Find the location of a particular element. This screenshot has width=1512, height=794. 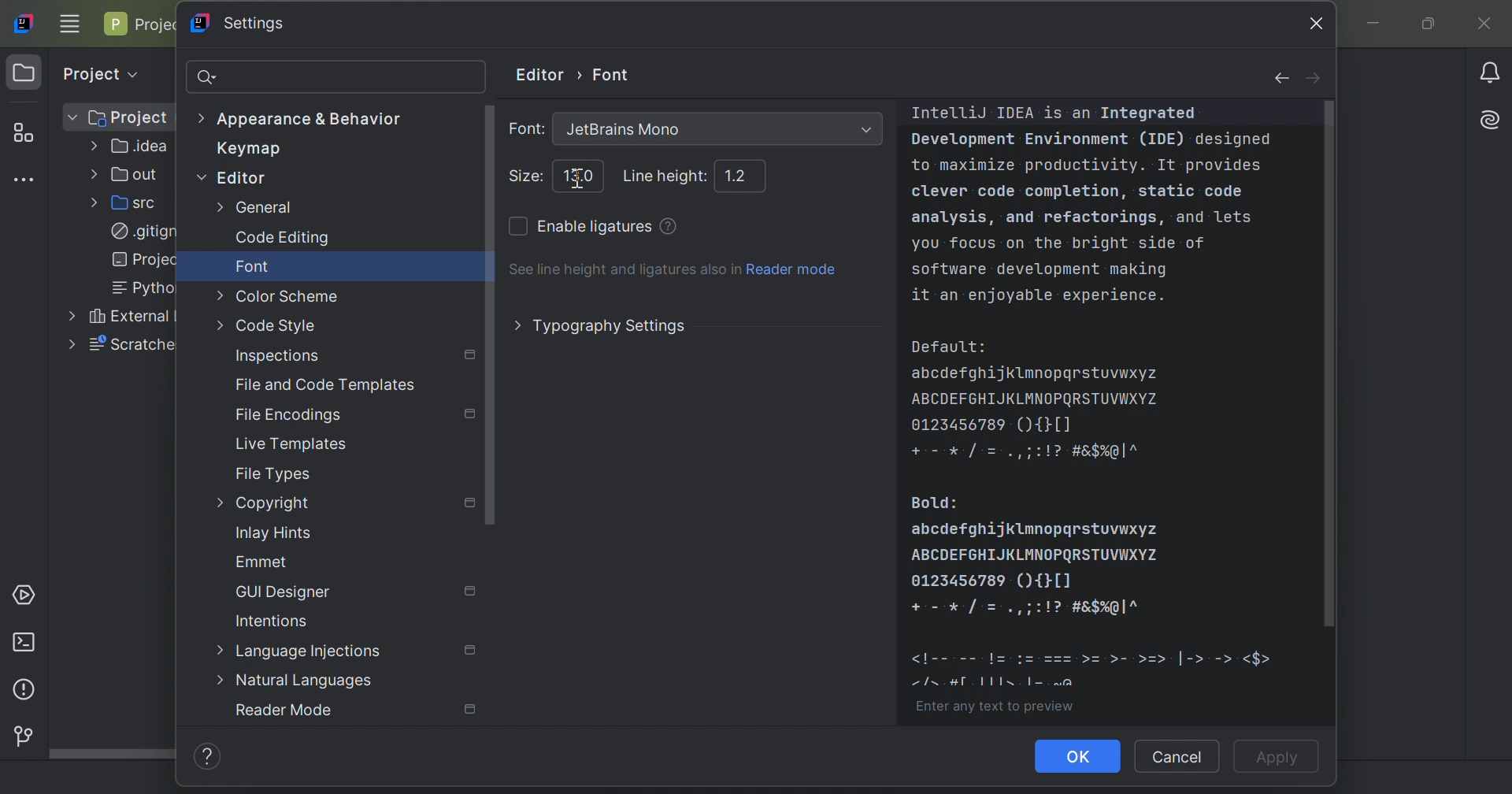

analysis, and refactorings, and lets is located at coordinates (1082, 218).